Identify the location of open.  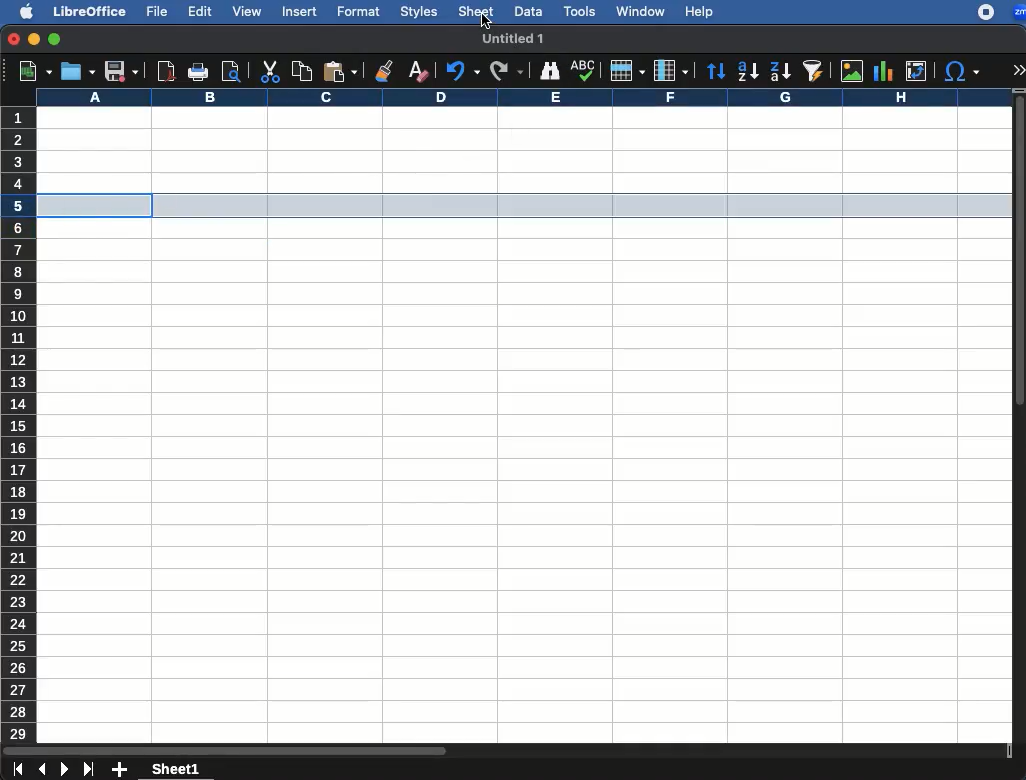
(77, 71).